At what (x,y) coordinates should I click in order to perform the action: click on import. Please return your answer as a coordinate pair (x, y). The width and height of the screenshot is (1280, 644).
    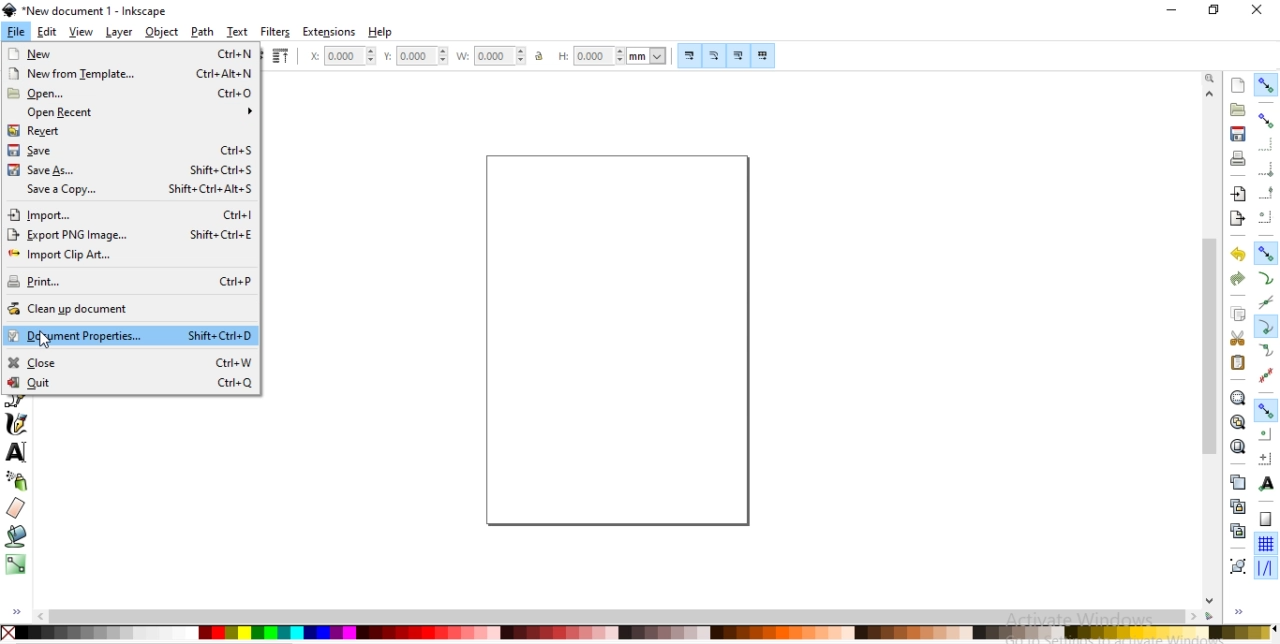
    Looking at the image, I should click on (130, 215).